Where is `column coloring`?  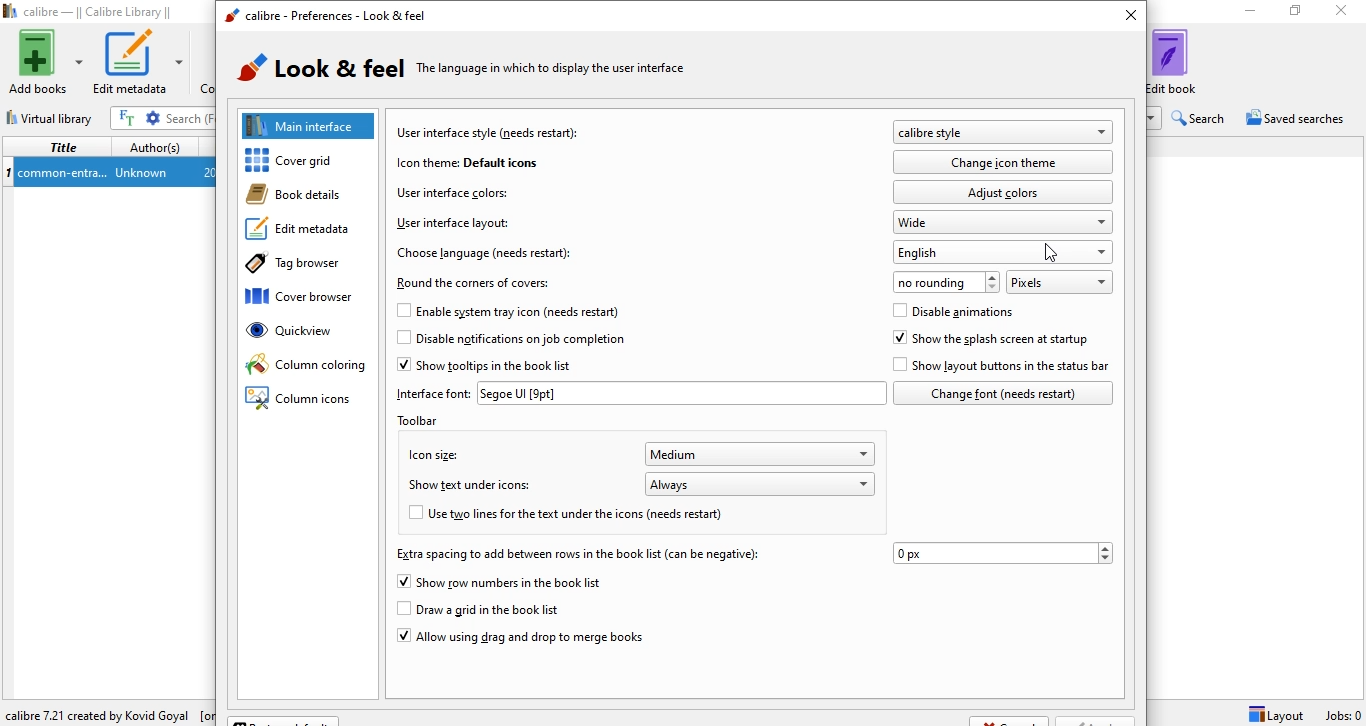
column coloring is located at coordinates (306, 366).